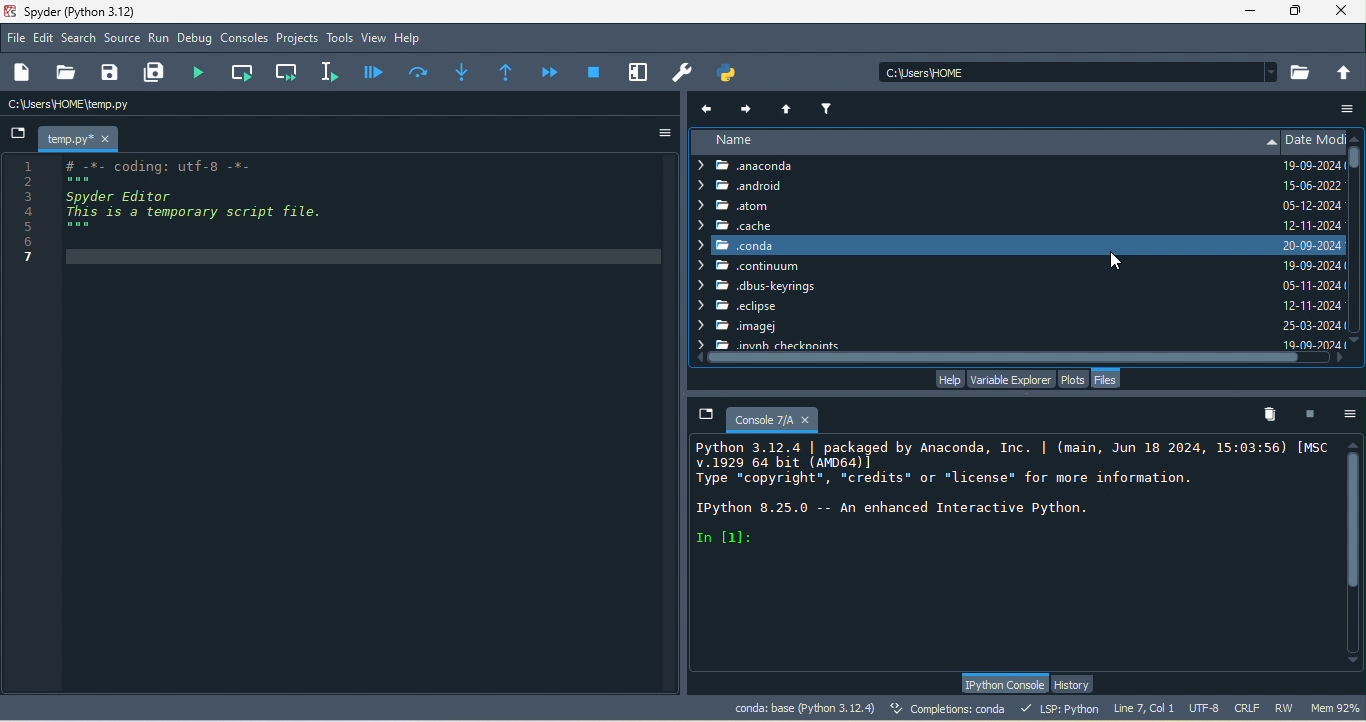 Image resolution: width=1366 pixels, height=722 pixels. I want to click on options, so click(657, 133).